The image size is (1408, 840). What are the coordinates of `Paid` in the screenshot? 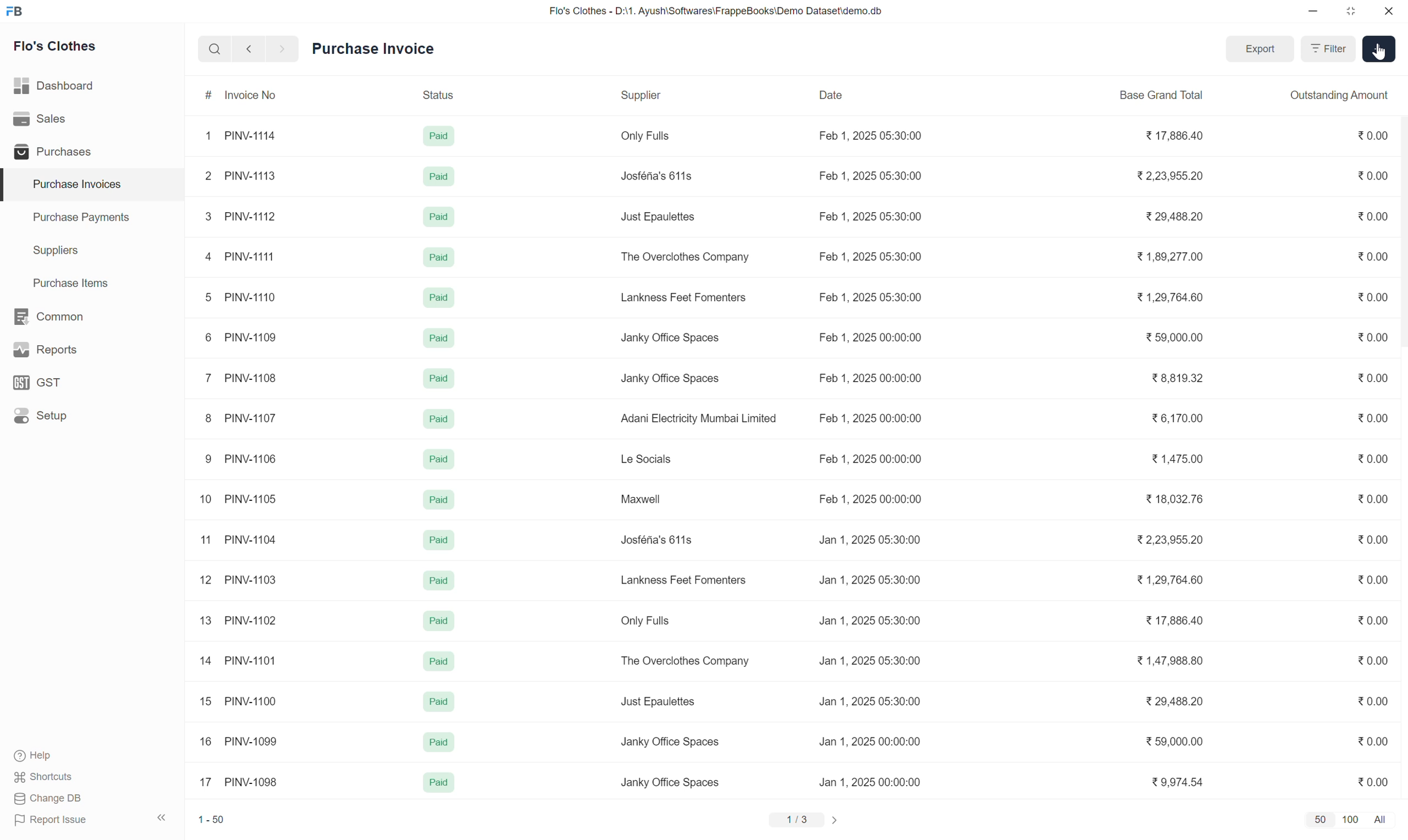 It's located at (439, 581).